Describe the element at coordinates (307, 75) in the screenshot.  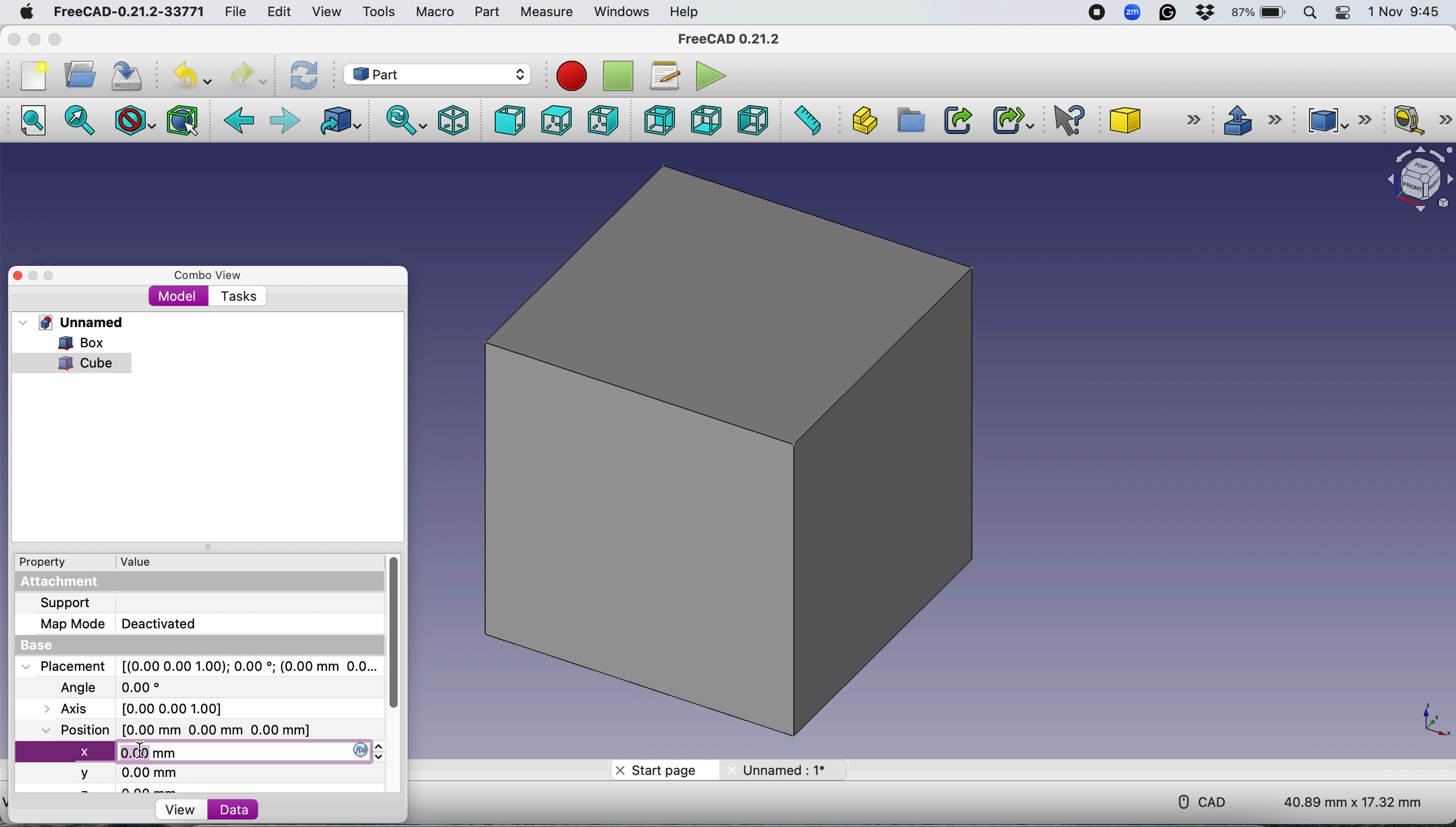
I see `Refresh` at that location.